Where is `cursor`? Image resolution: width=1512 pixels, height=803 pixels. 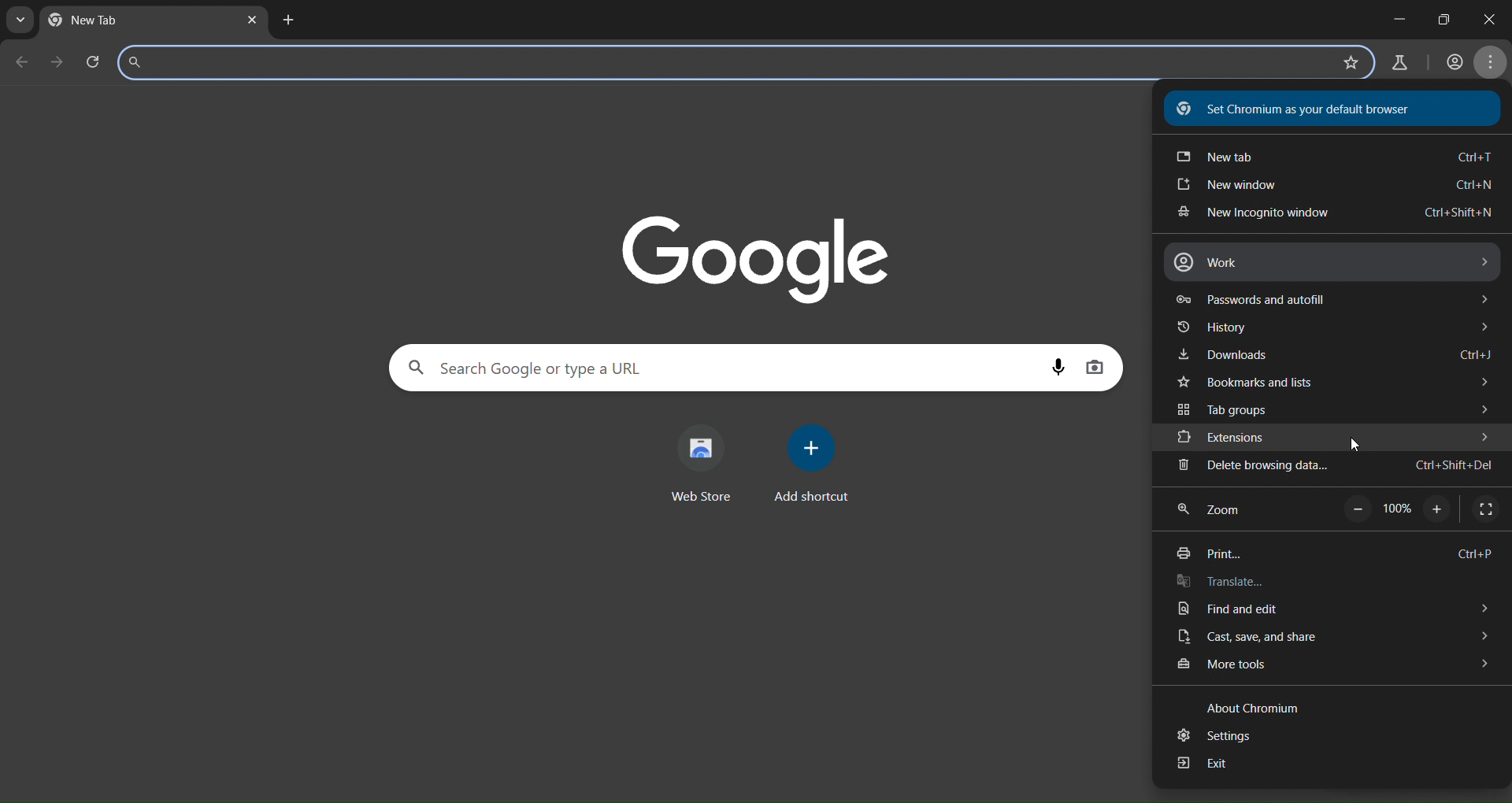 cursor is located at coordinates (1351, 445).